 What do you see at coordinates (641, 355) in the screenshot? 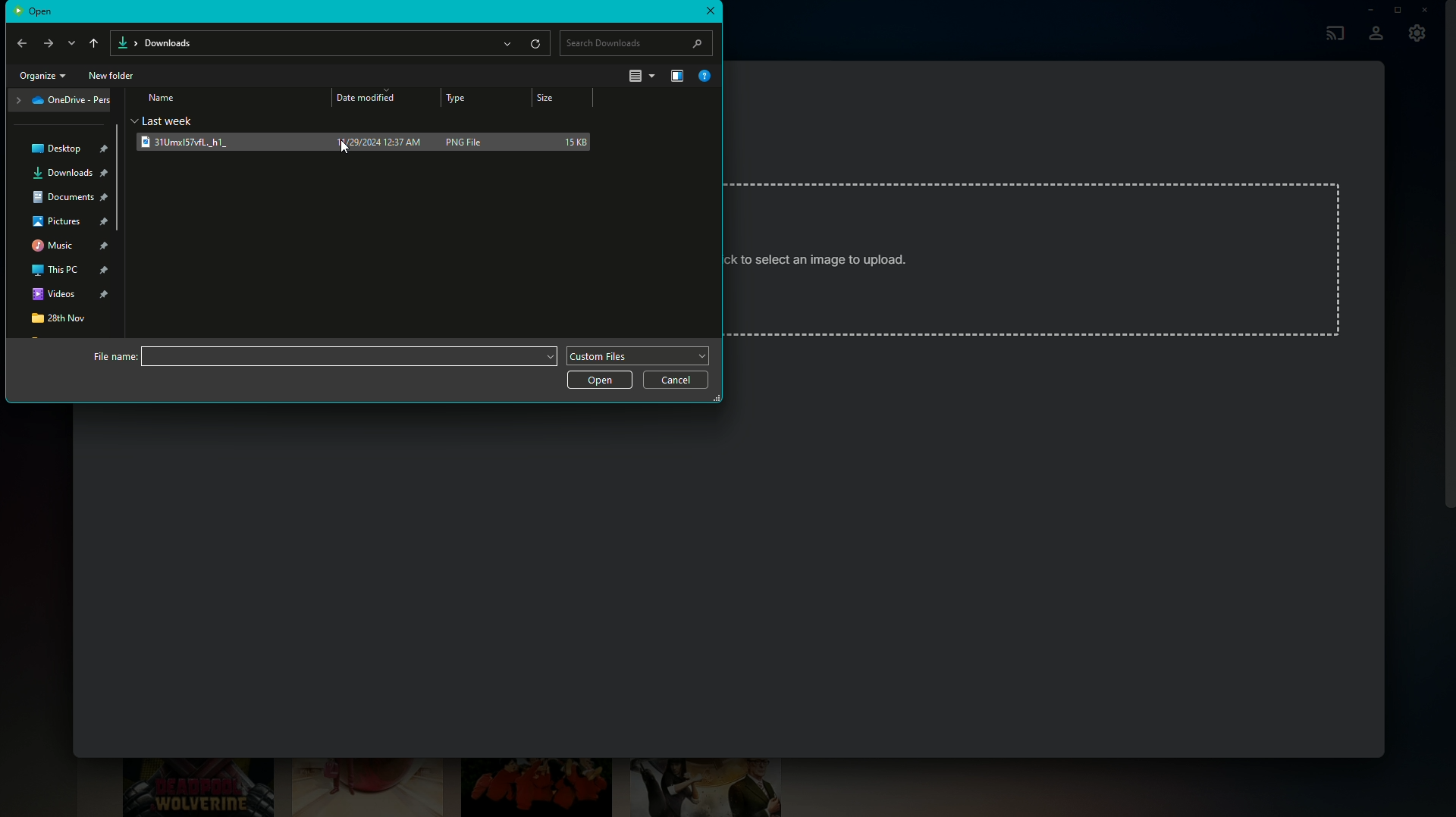
I see `File type` at bounding box center [641, 355].